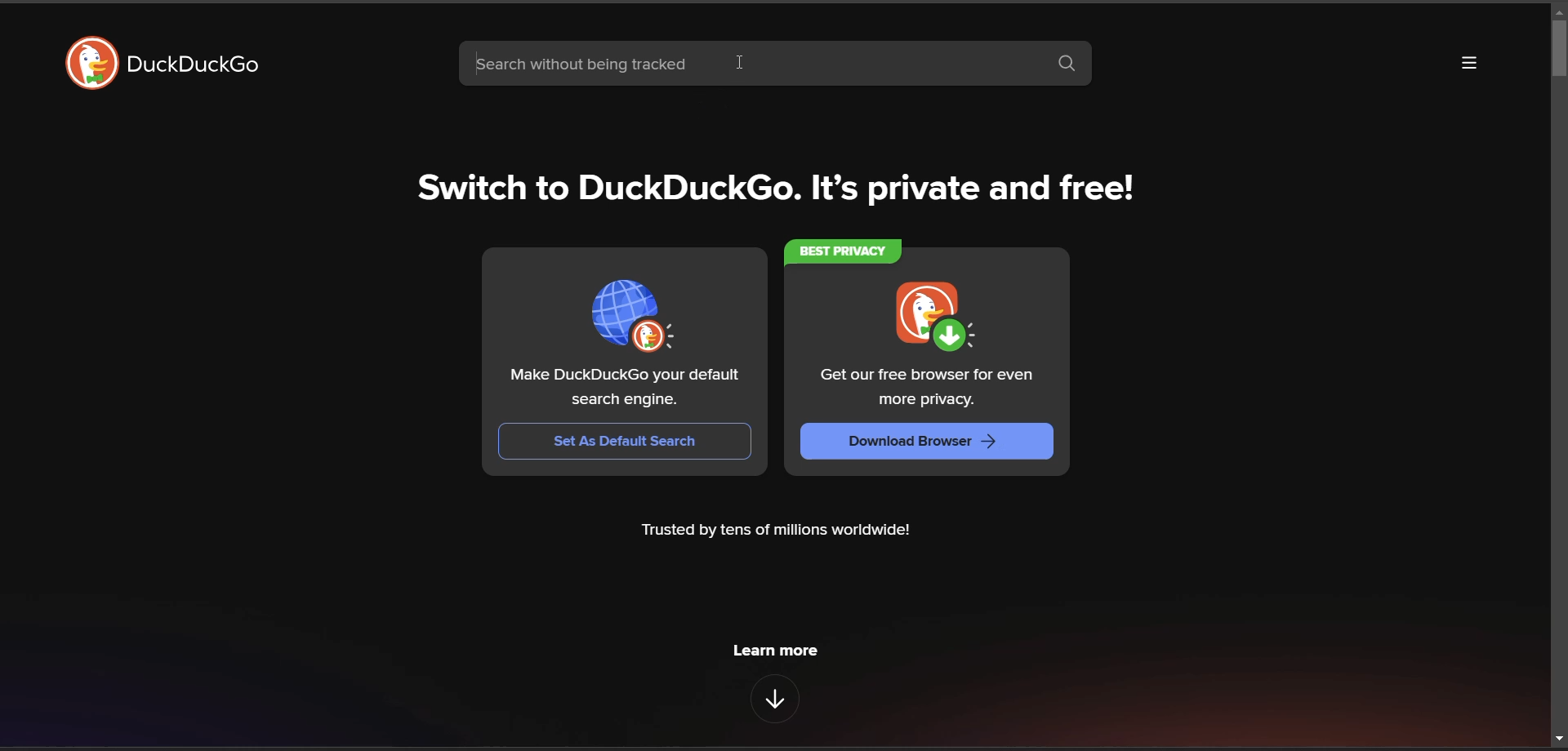  Describe the element at coordinates (632, 317) in the screenshot. I see `Image` at that location.